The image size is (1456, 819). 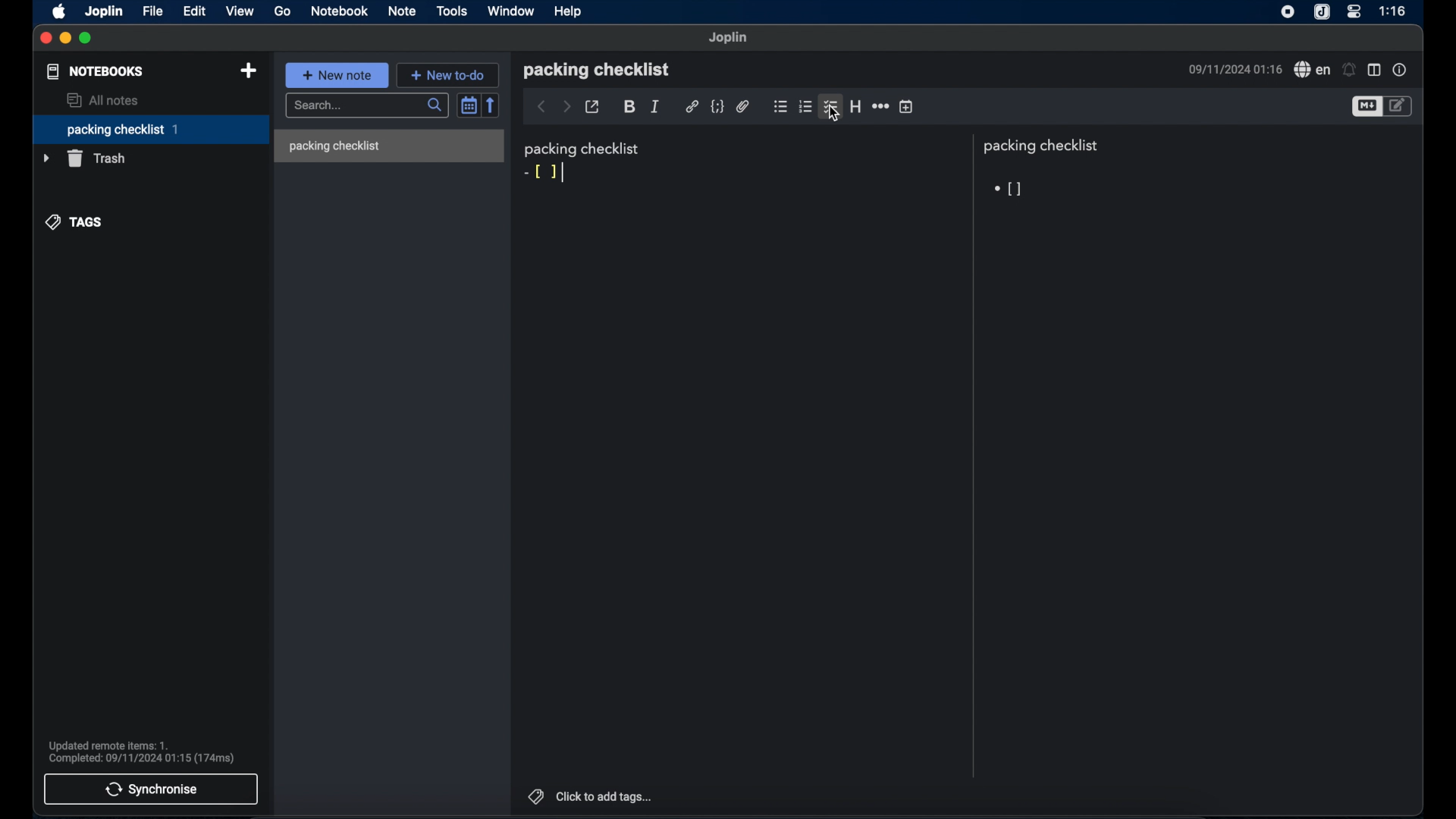 I want to click on 1:16, so click(x=1394, y=11).